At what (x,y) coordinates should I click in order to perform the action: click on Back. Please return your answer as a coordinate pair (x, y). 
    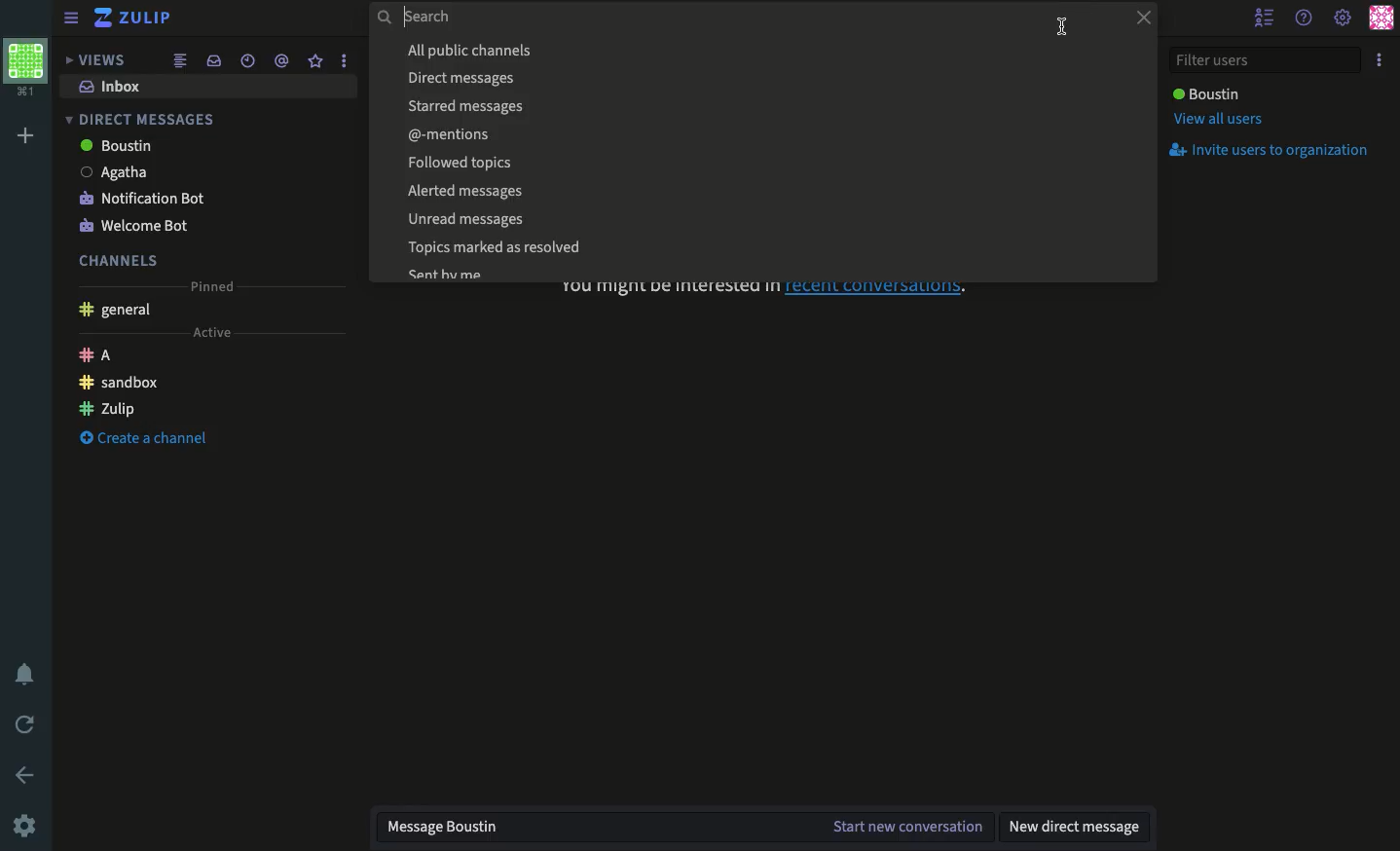
    Looking at the image, I should click on (27, 774).